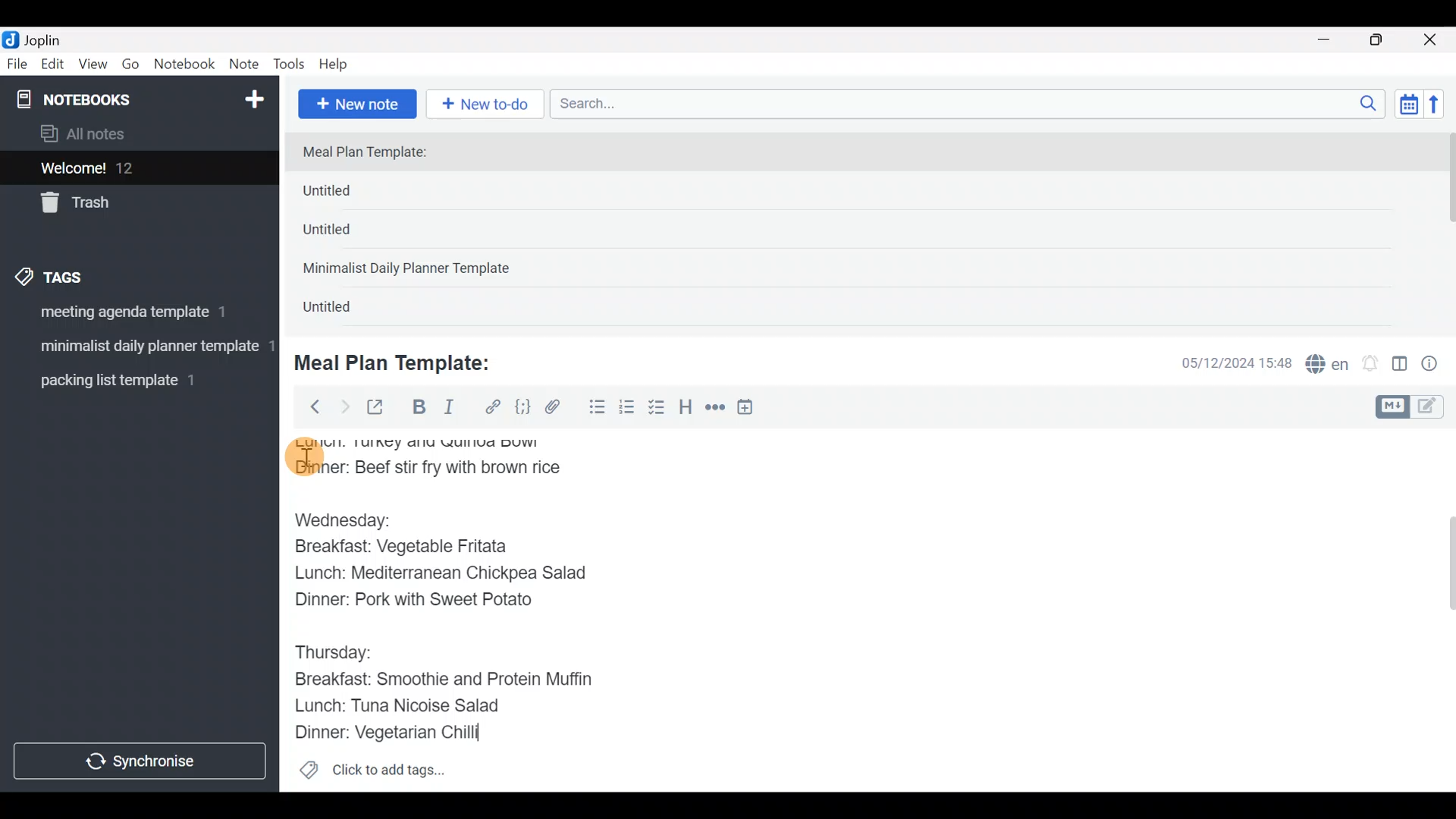 The width and height of the screenshot is (1456, 819). Describe the element at coordinates (85, 275) in the screenshot. I see `Tags` at that location.